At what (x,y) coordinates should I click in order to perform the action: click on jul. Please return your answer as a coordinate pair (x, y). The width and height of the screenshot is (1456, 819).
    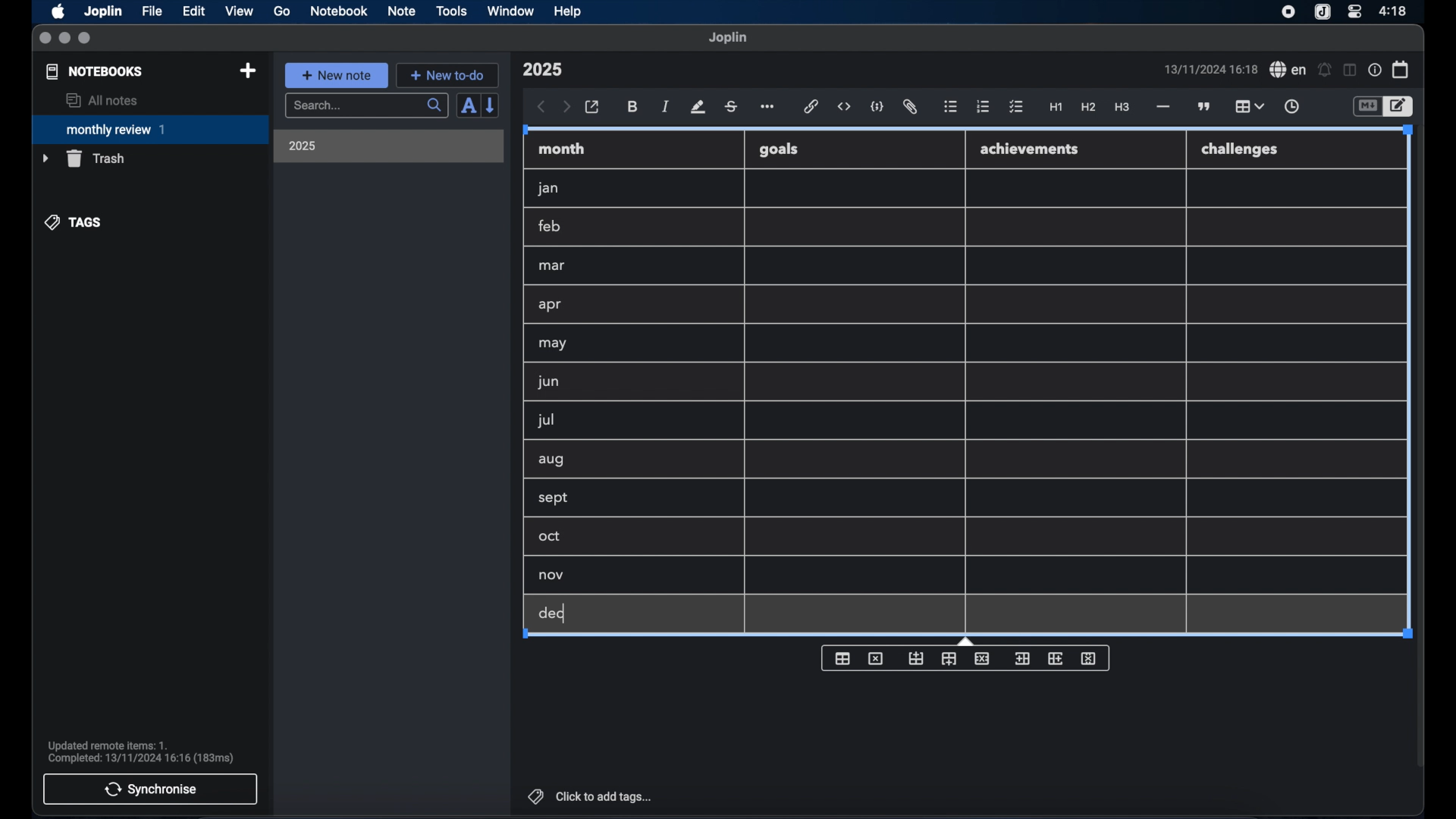
    Looking at the image, I should click on (544, 421).